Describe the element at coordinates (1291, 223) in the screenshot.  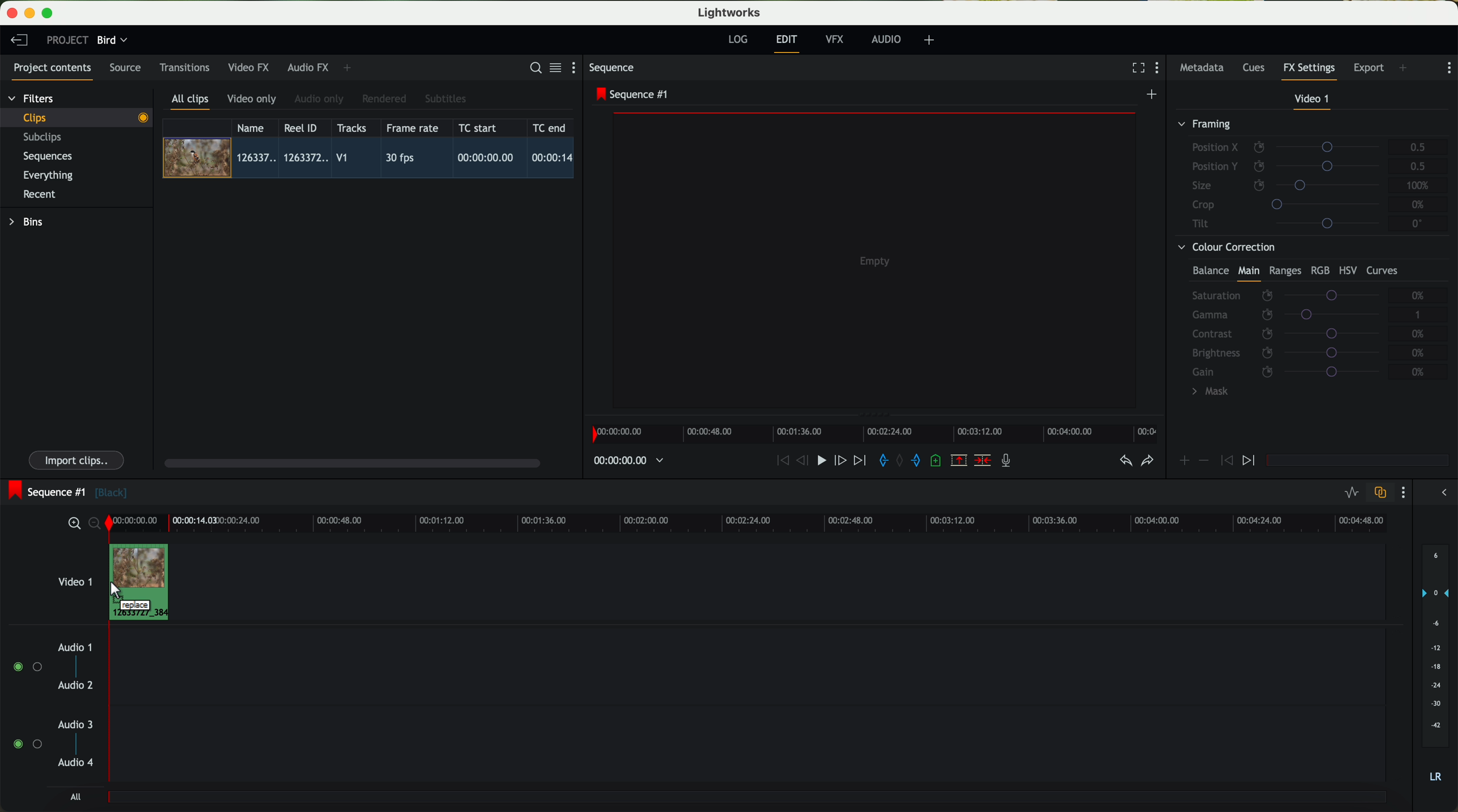
I see `tilt` at that location.